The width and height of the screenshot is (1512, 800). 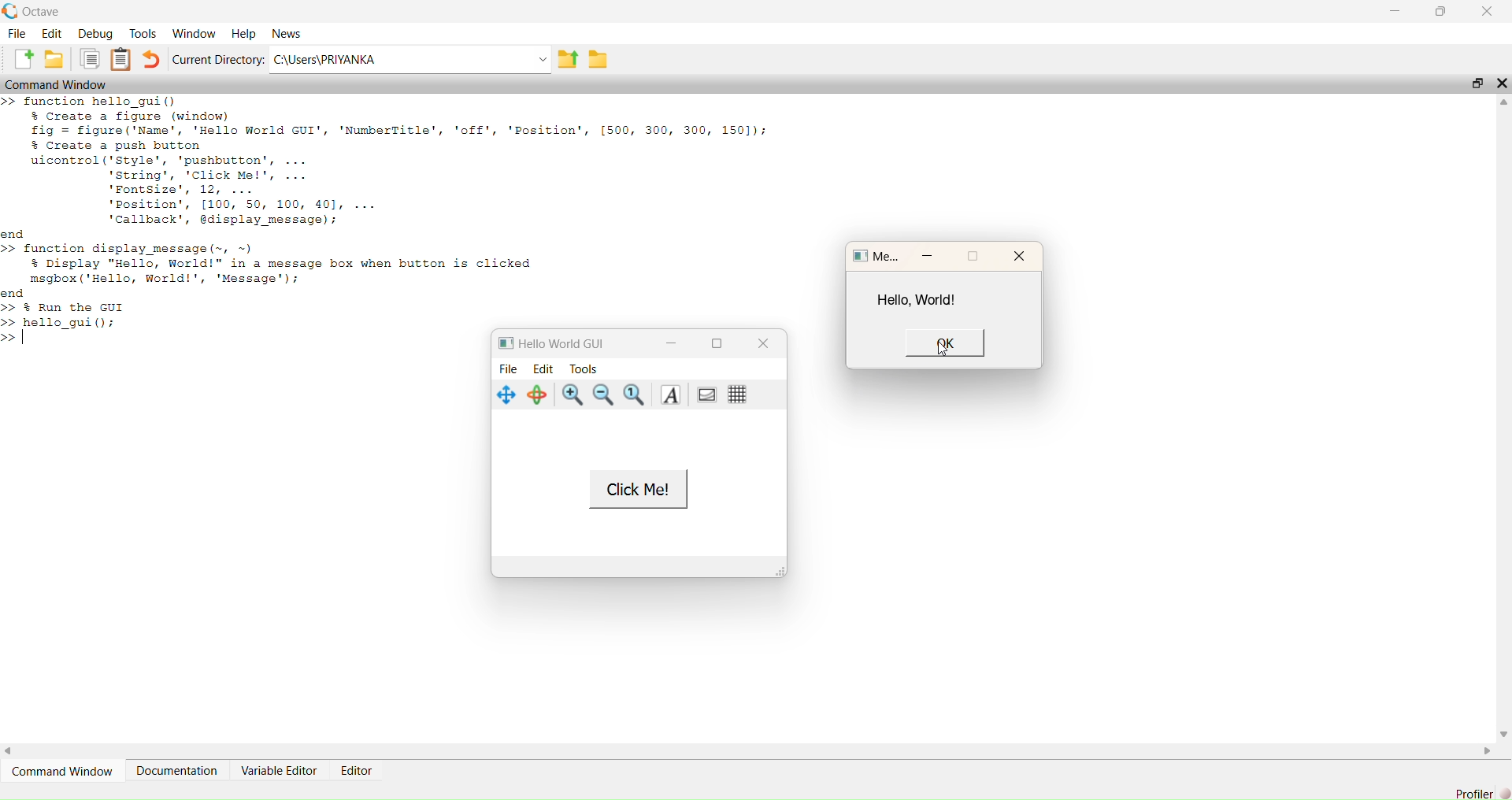 What do you see at coordinates (1488, 10) in the screenshot?
I see `close` at bounding box center [1488, 10].